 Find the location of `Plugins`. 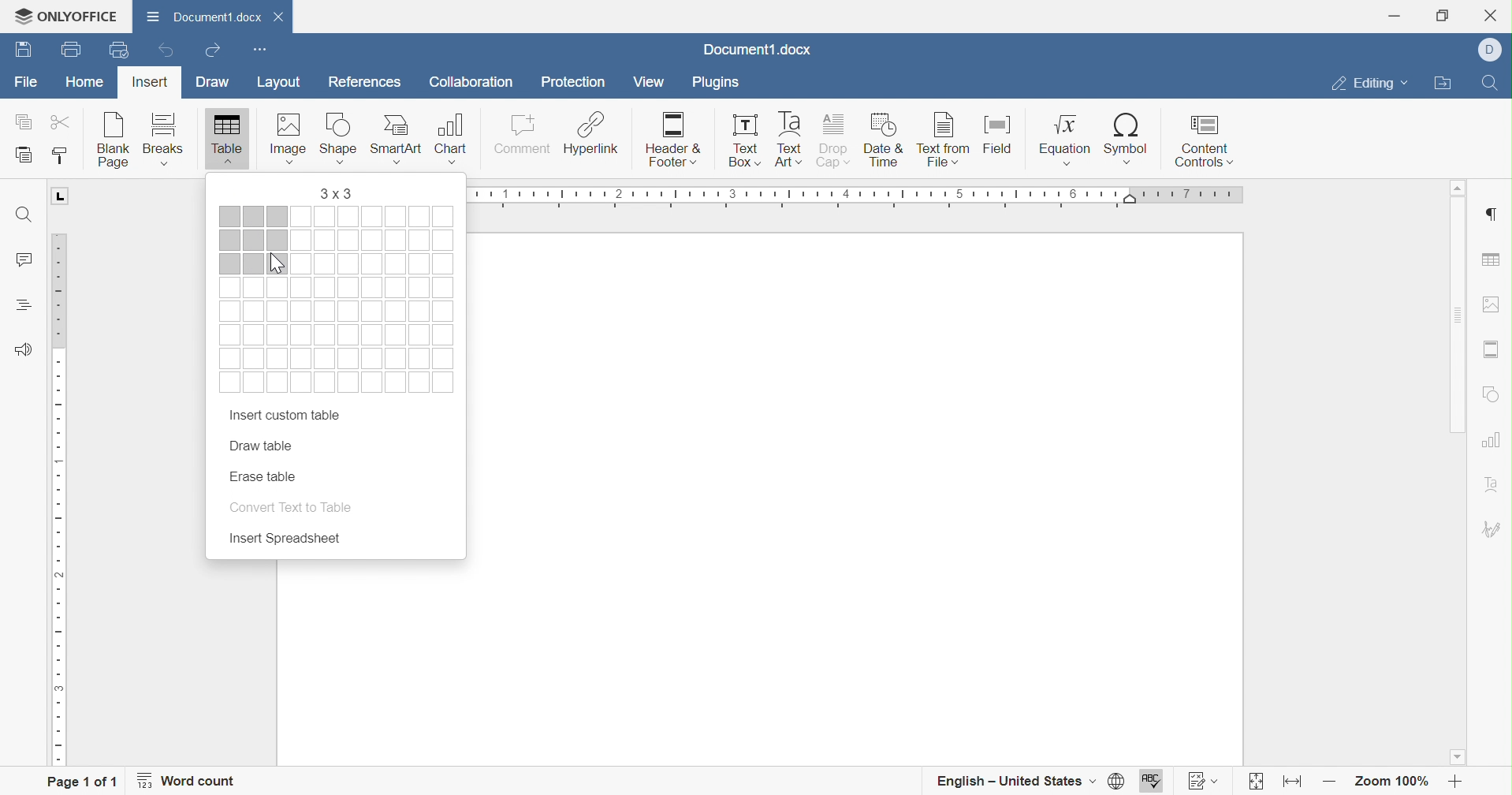

Plugins is located at coordinates (721, 80).